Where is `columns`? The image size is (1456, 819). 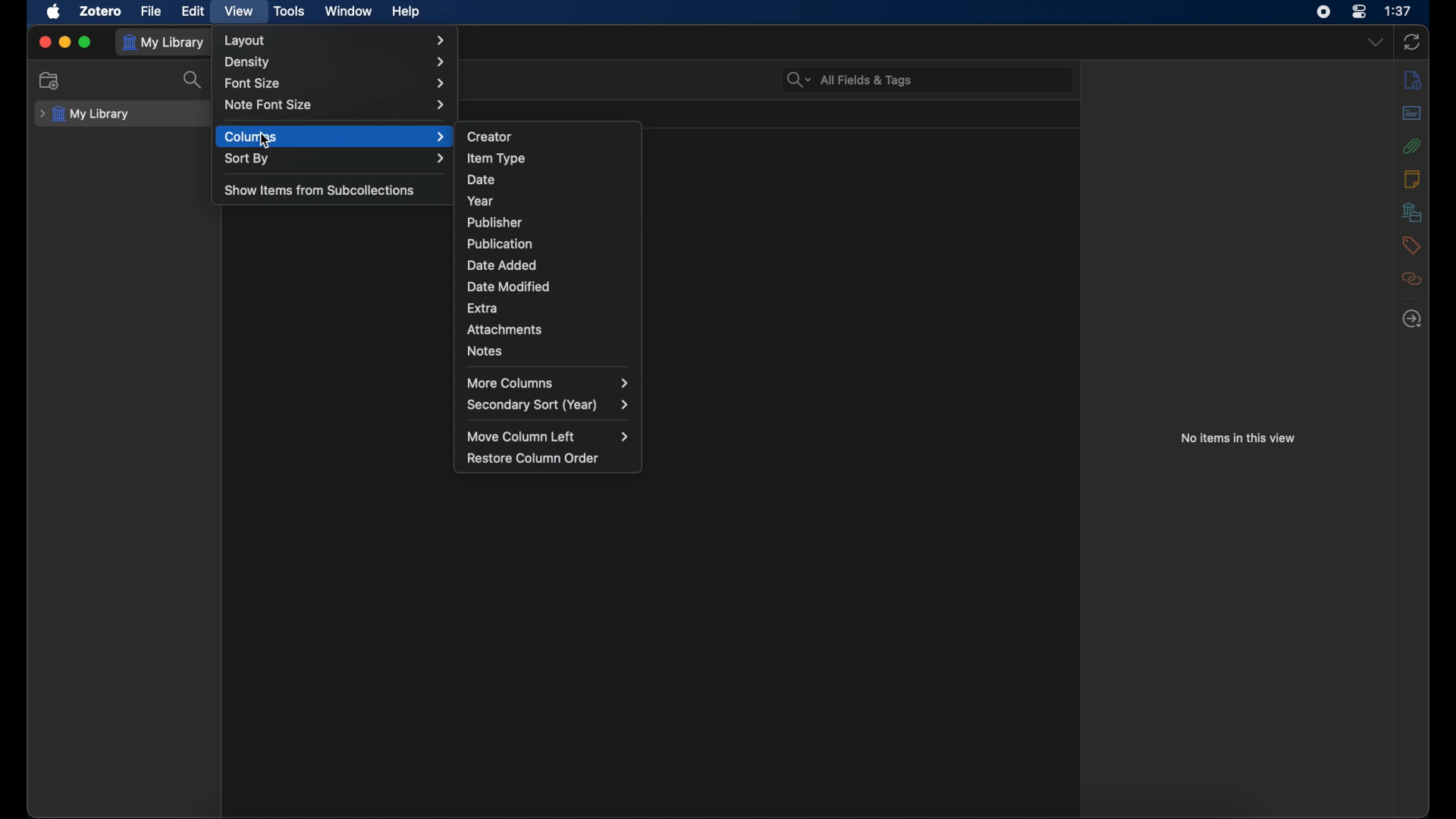 columns is located at coordinates (336, 136).